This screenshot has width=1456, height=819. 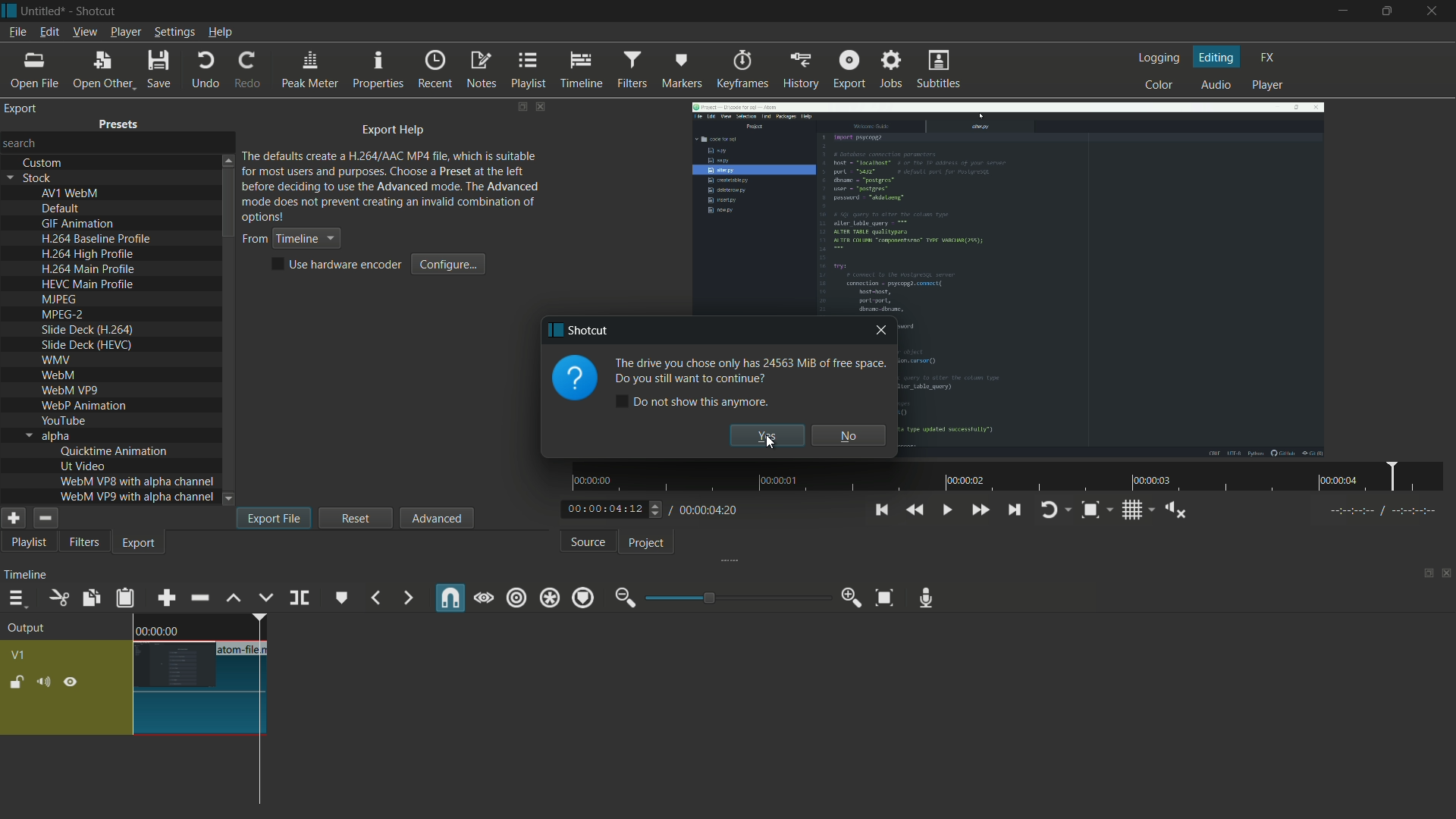 I want to click on time, so click(x=1012, y=477).